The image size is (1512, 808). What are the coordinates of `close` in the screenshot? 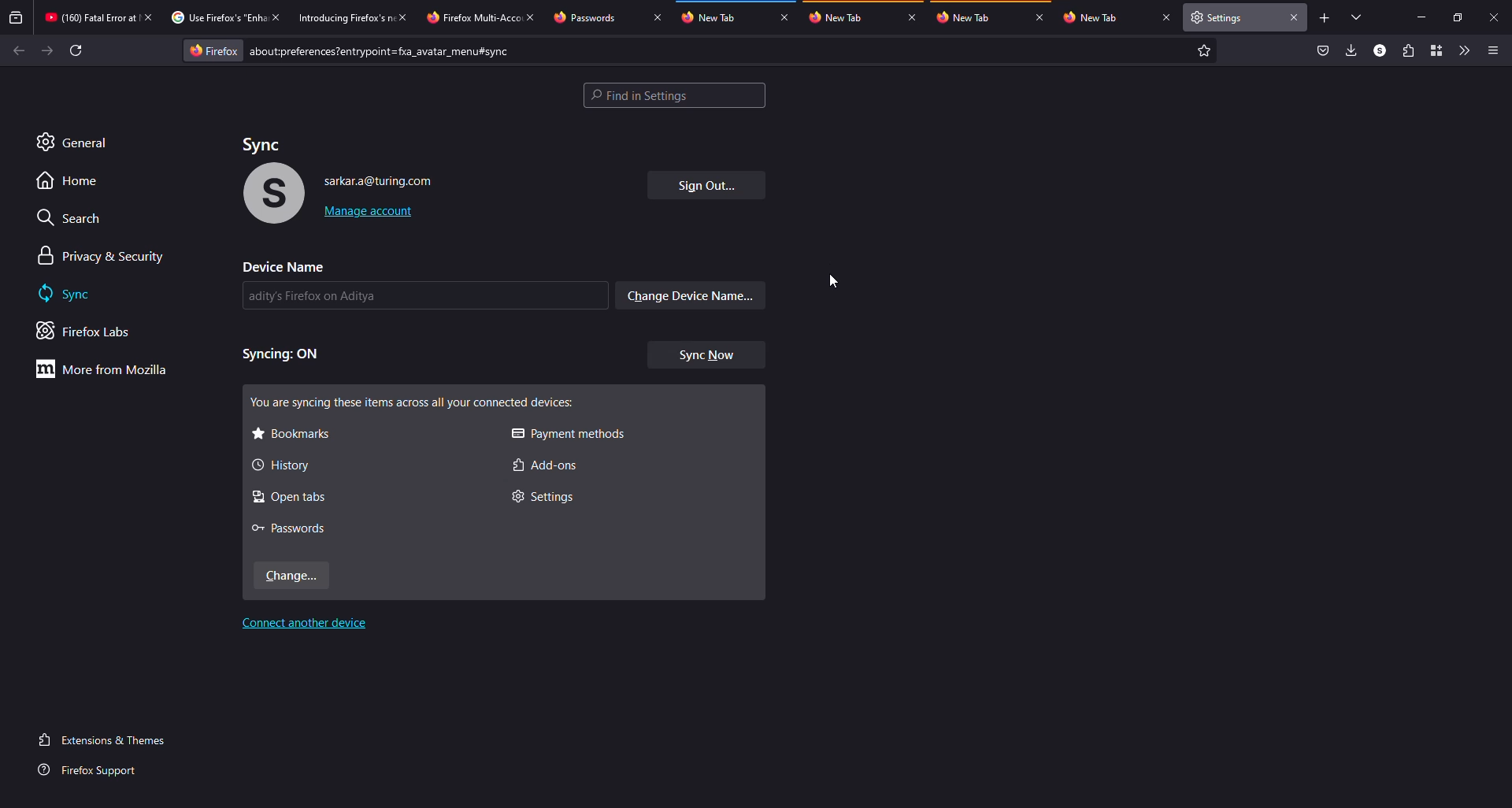 It's located at (150, 17).